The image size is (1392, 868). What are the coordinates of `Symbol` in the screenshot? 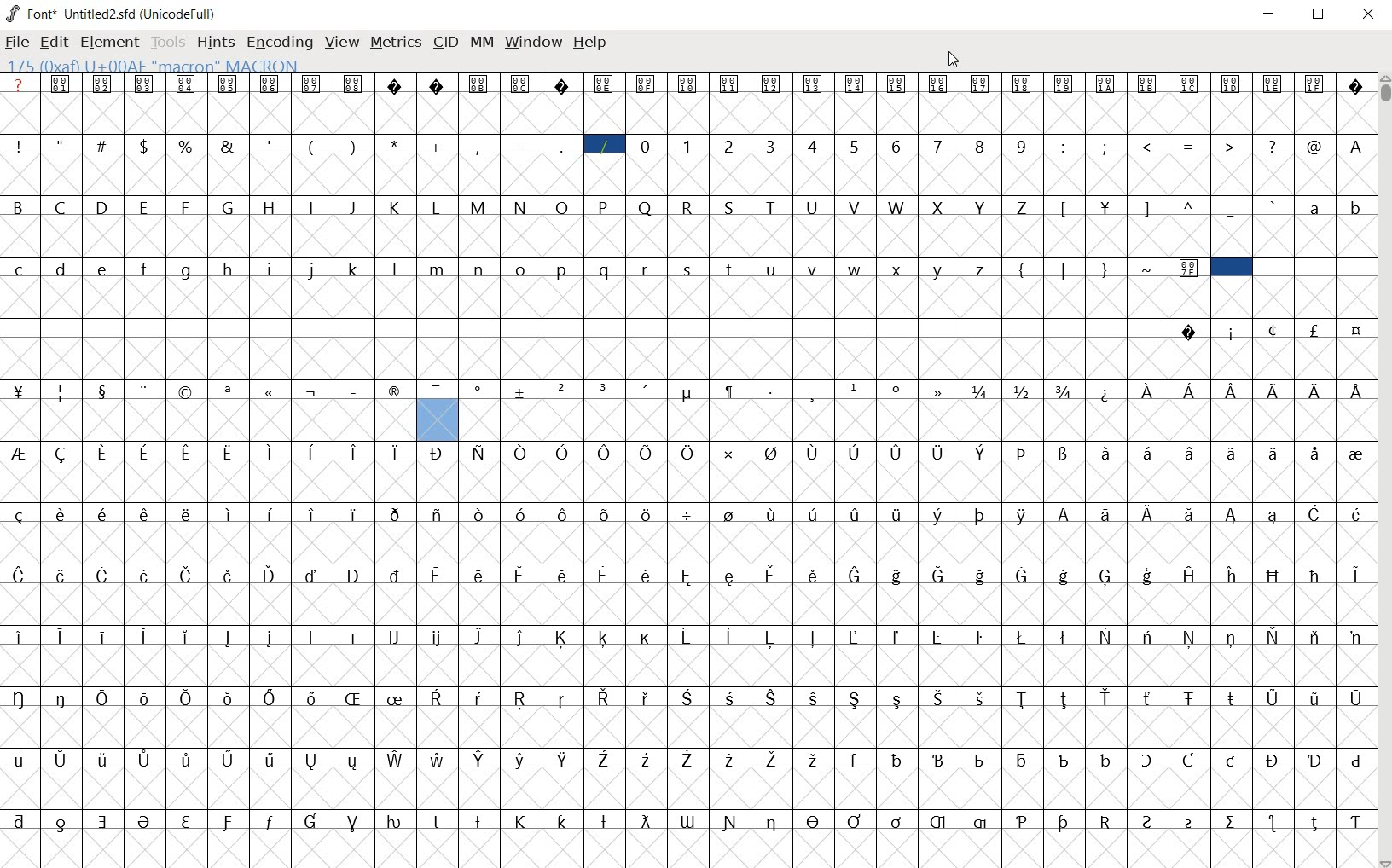 It's located at (856, 757).